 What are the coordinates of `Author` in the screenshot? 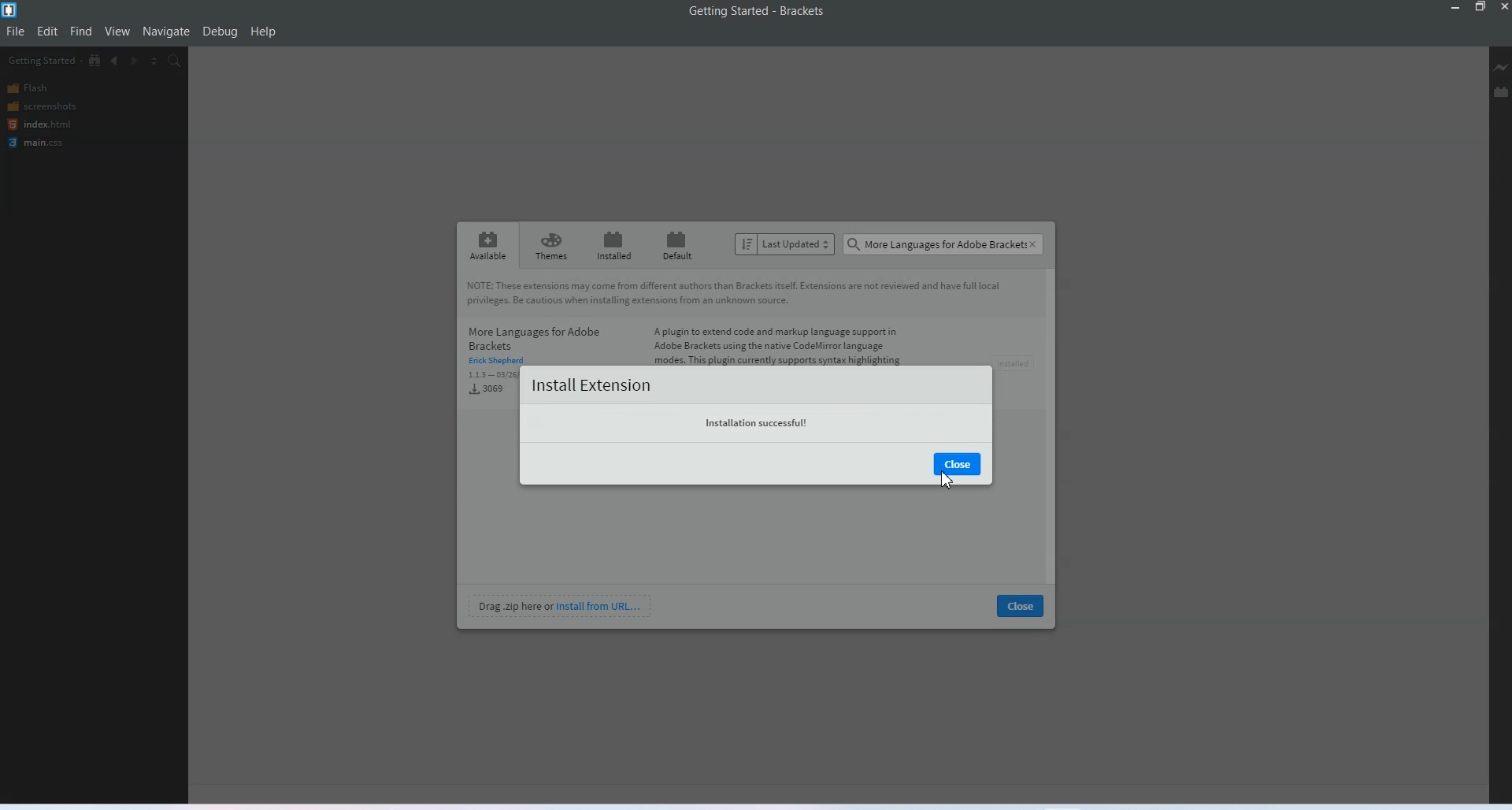 It's located at (498, 362).